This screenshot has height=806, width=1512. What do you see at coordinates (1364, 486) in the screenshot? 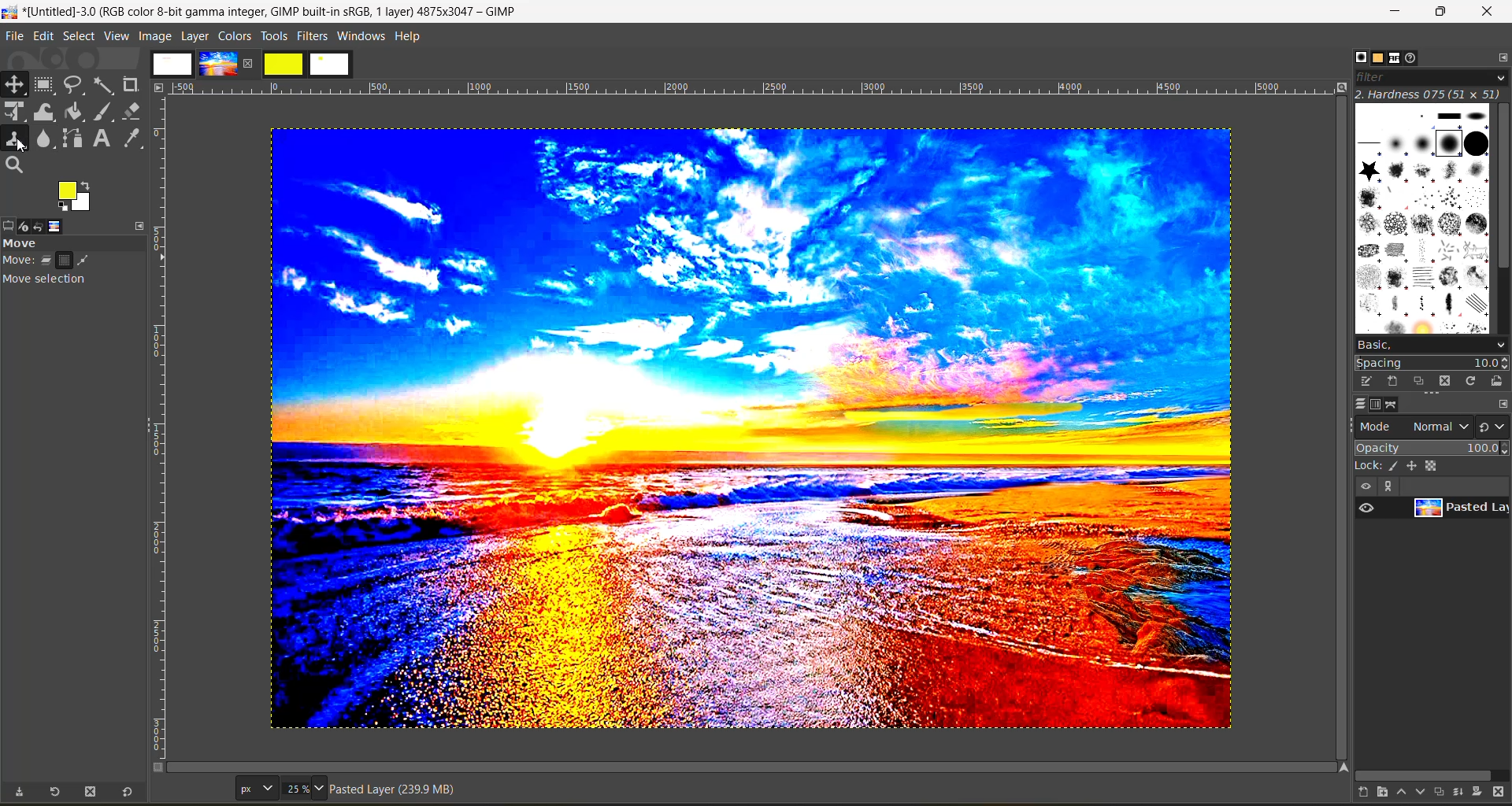
I see `view` at bounding box center [1364, 486].